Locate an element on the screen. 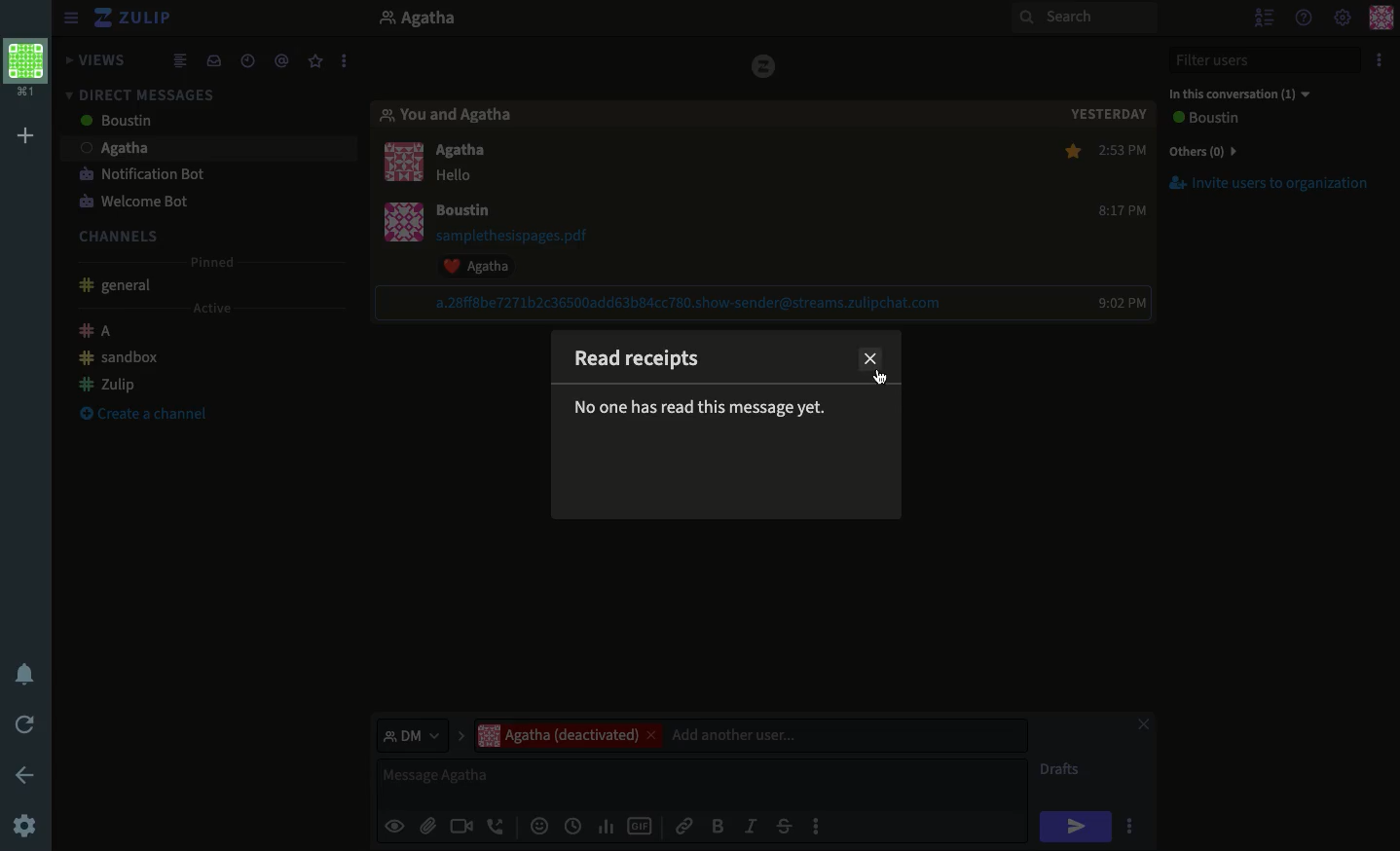 Image resolution: width=1400 pixels, height=851 pixels. Active is located at coordinates (209, 309).